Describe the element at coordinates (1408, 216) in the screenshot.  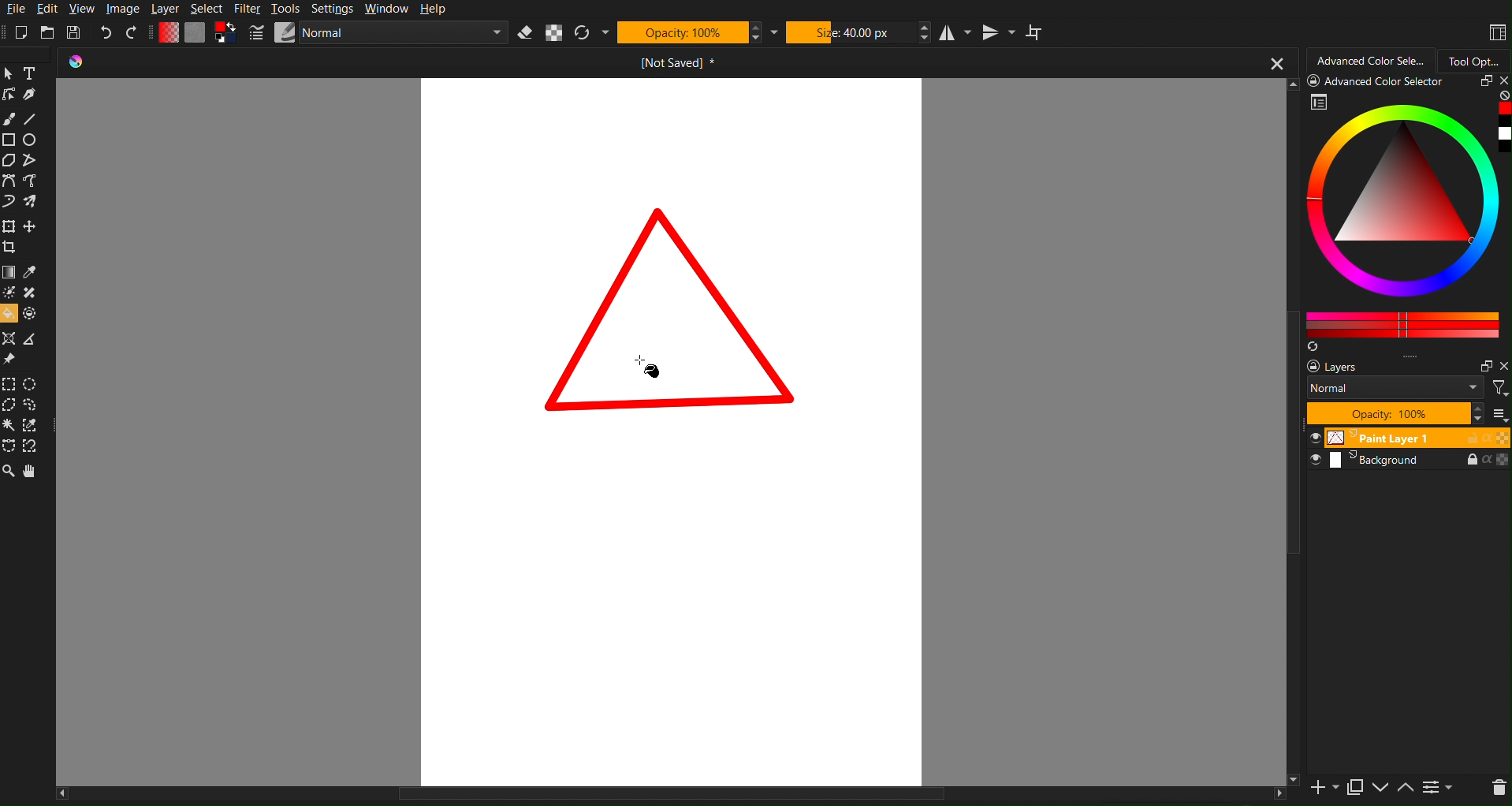
I see `Advanced Color Selector` at that location.